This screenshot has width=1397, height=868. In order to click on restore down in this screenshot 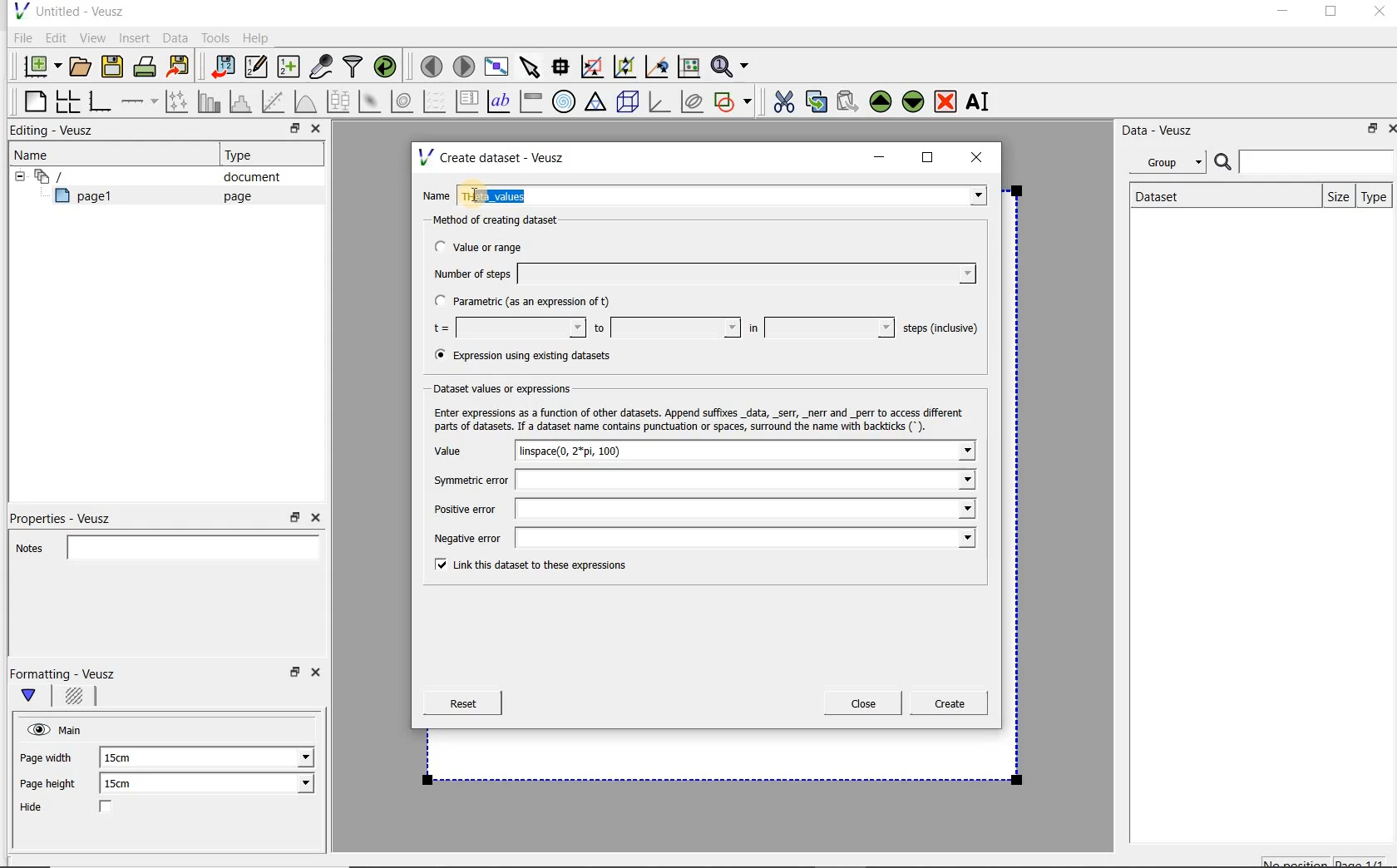, I will do `click(293, 677)`.